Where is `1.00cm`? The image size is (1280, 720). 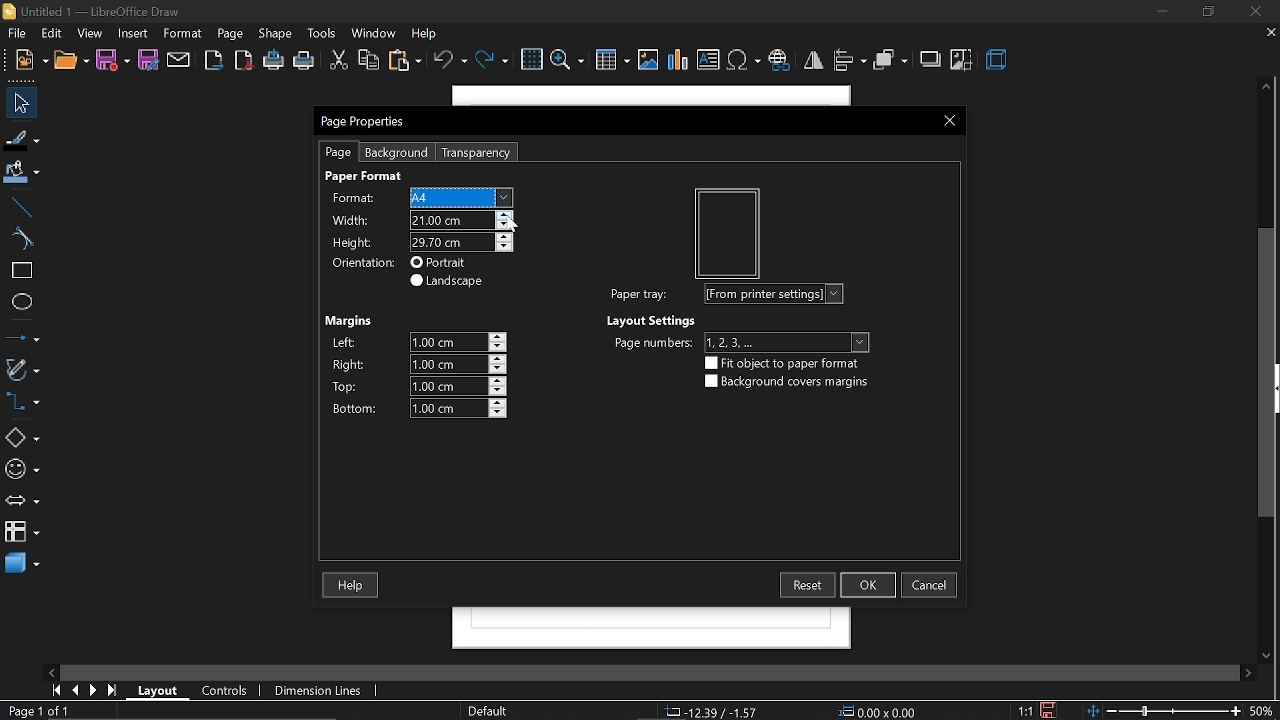
1.00cm is located at coordinates (456, 344).